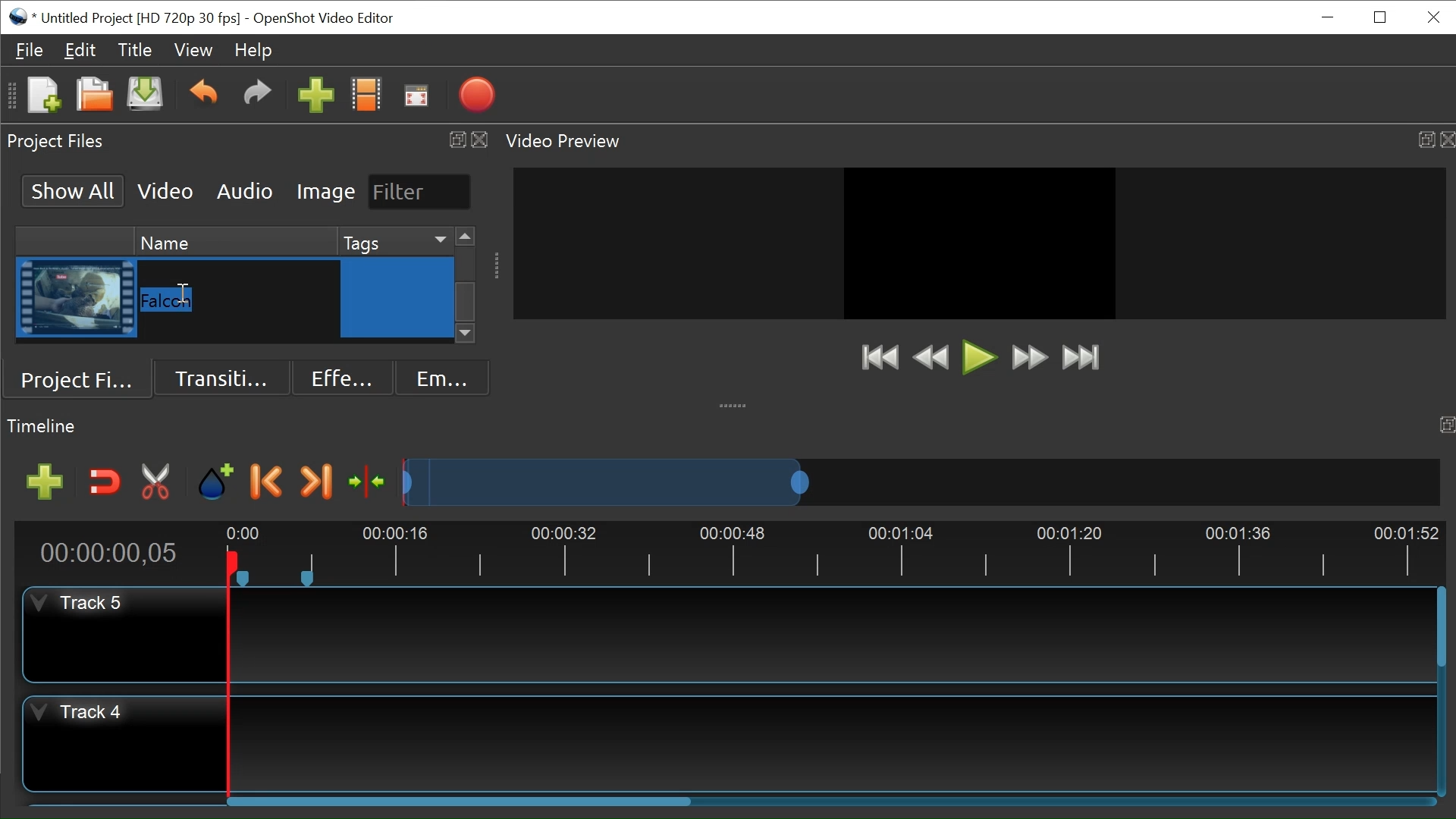 This screenshot has height=819, width=1456. Describe the element at coordinates (144, 17) in the screenshot. I see `Project Name` at that location.